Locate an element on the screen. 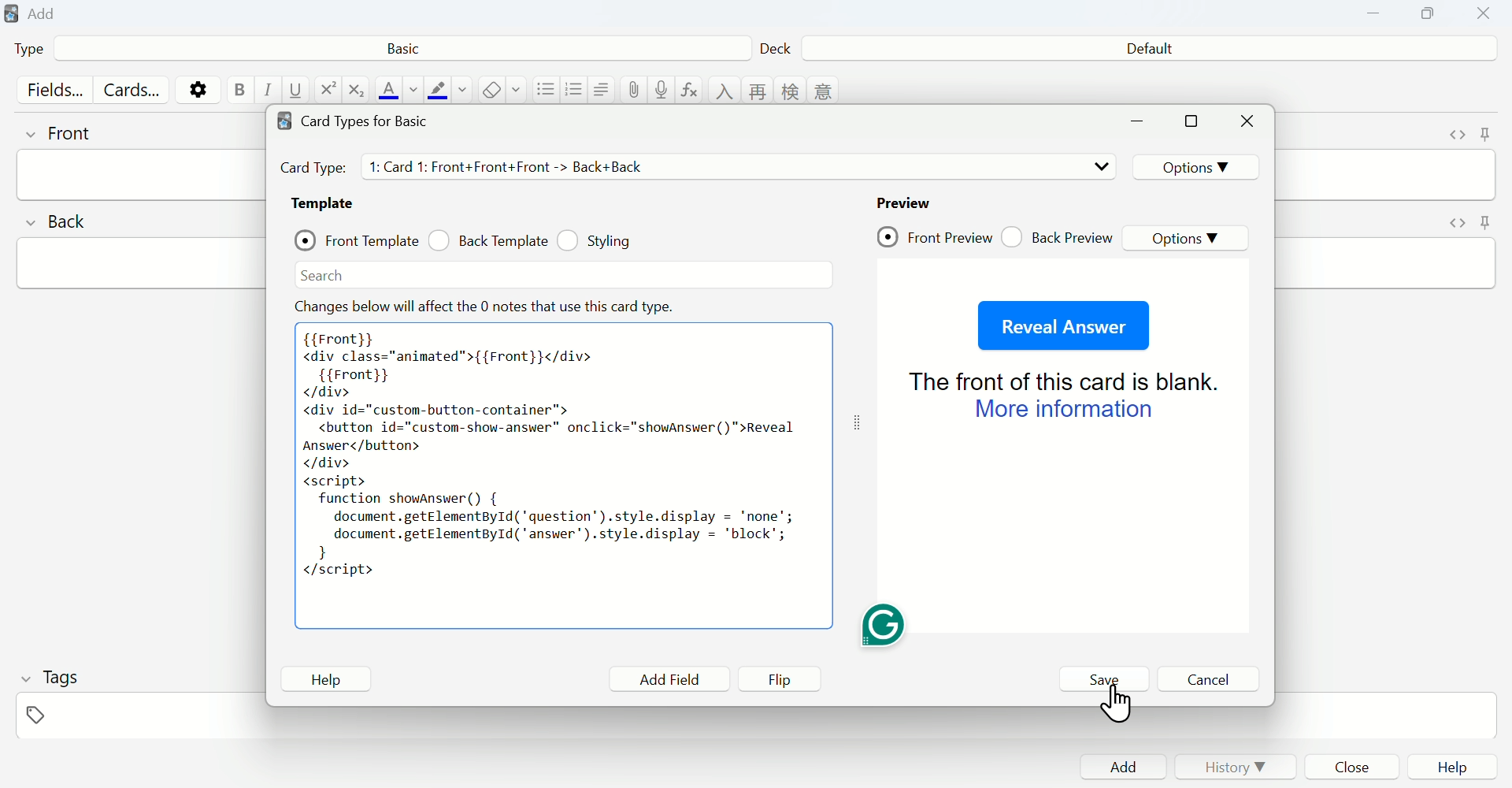 This screenshot has height=788, width=1512. cursor is located at coordinates (1115, 704).